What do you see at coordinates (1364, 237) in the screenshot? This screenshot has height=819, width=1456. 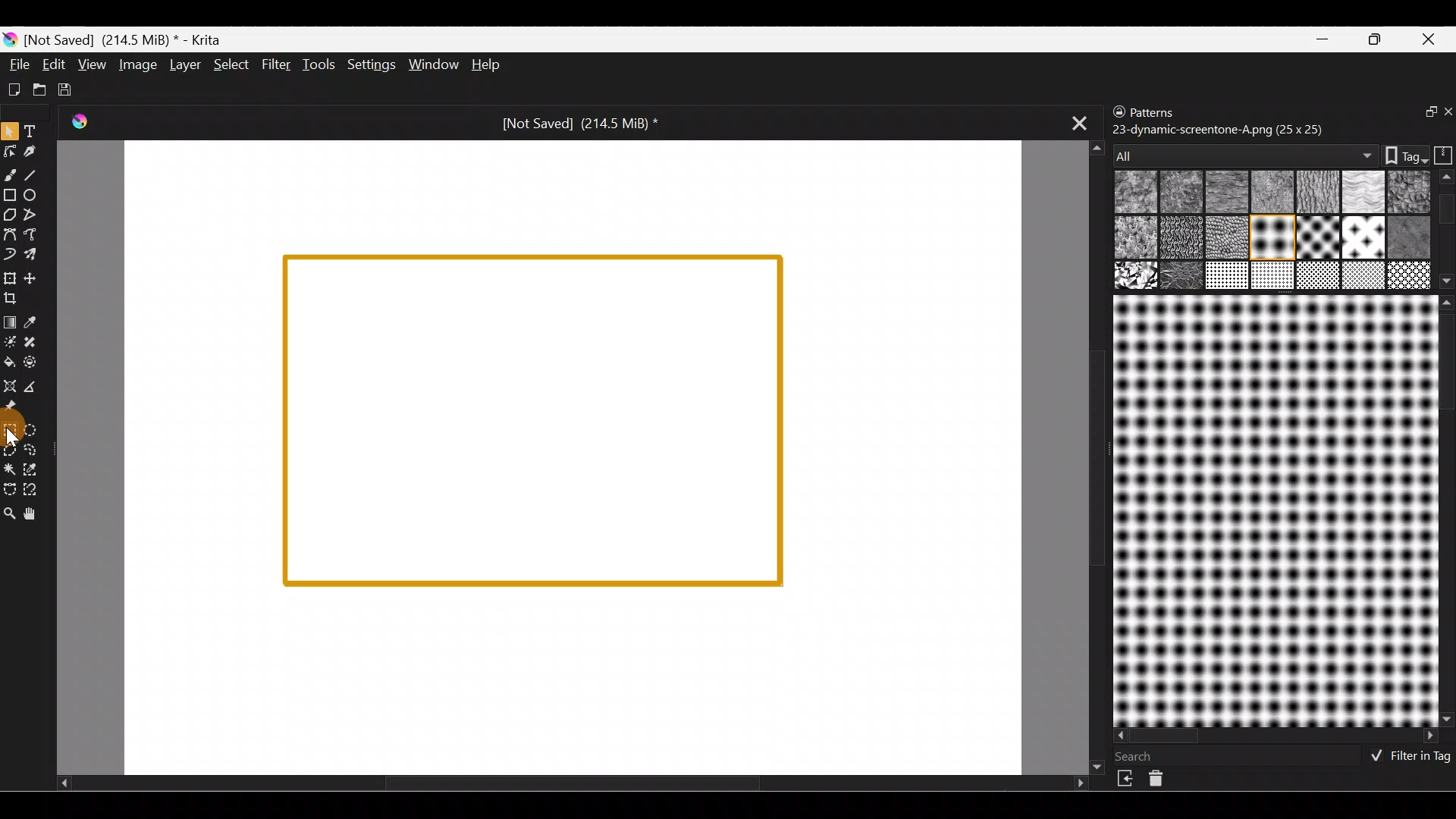 I see `12 drawed_vertical.png` at bounding box center [1364, 237].